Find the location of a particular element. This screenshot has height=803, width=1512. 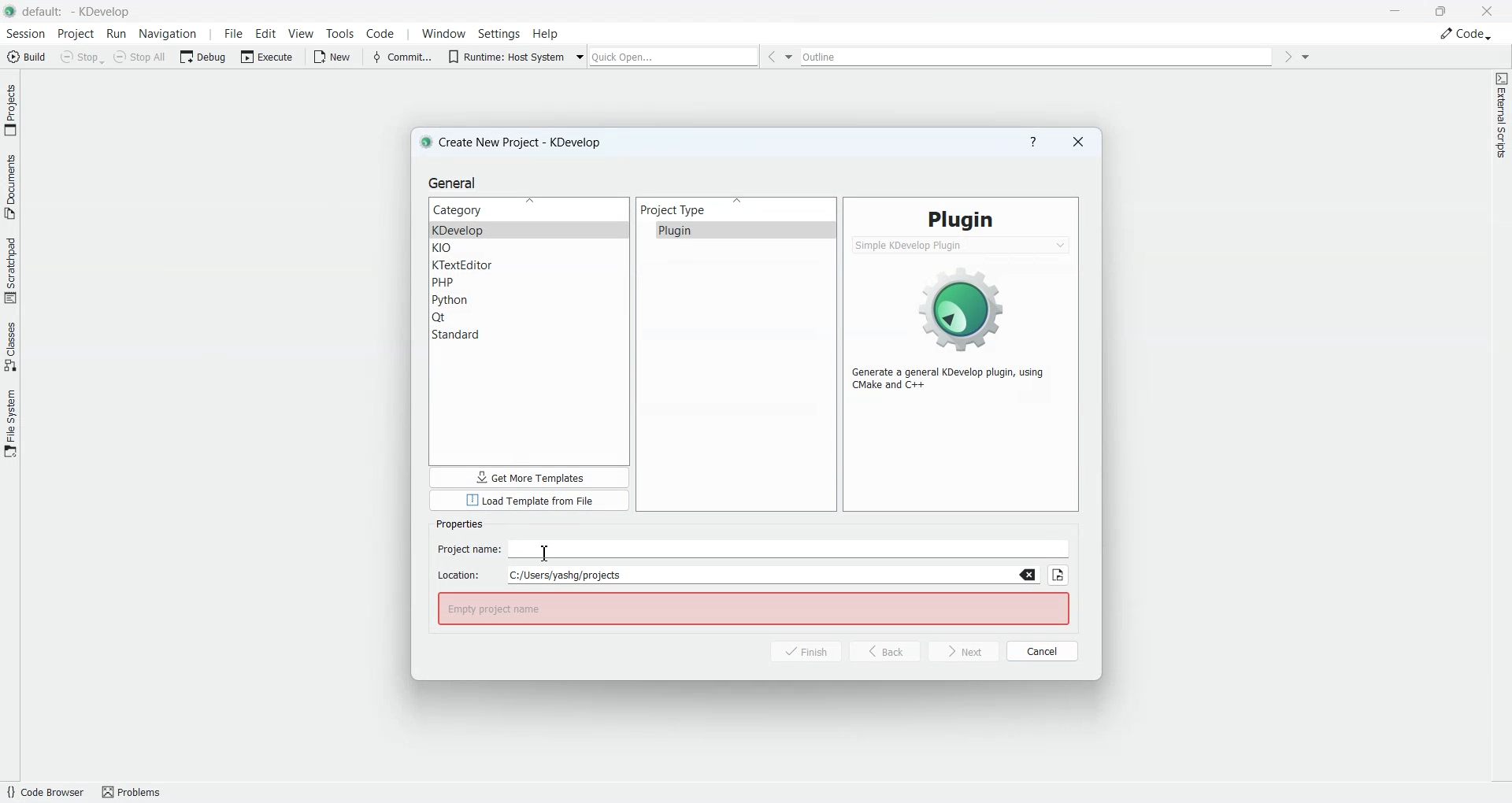

Problems is located at coordinates (137, 791).